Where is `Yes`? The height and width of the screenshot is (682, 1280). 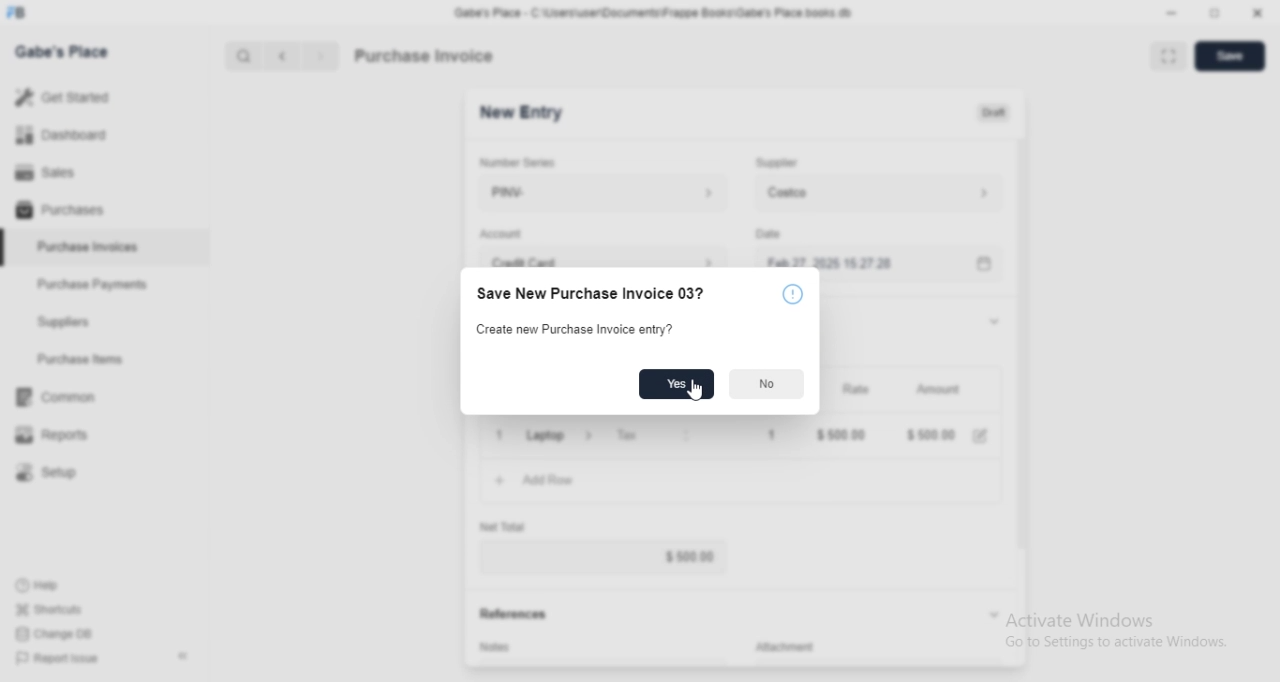
Yes is located at coordinates (677, 384).